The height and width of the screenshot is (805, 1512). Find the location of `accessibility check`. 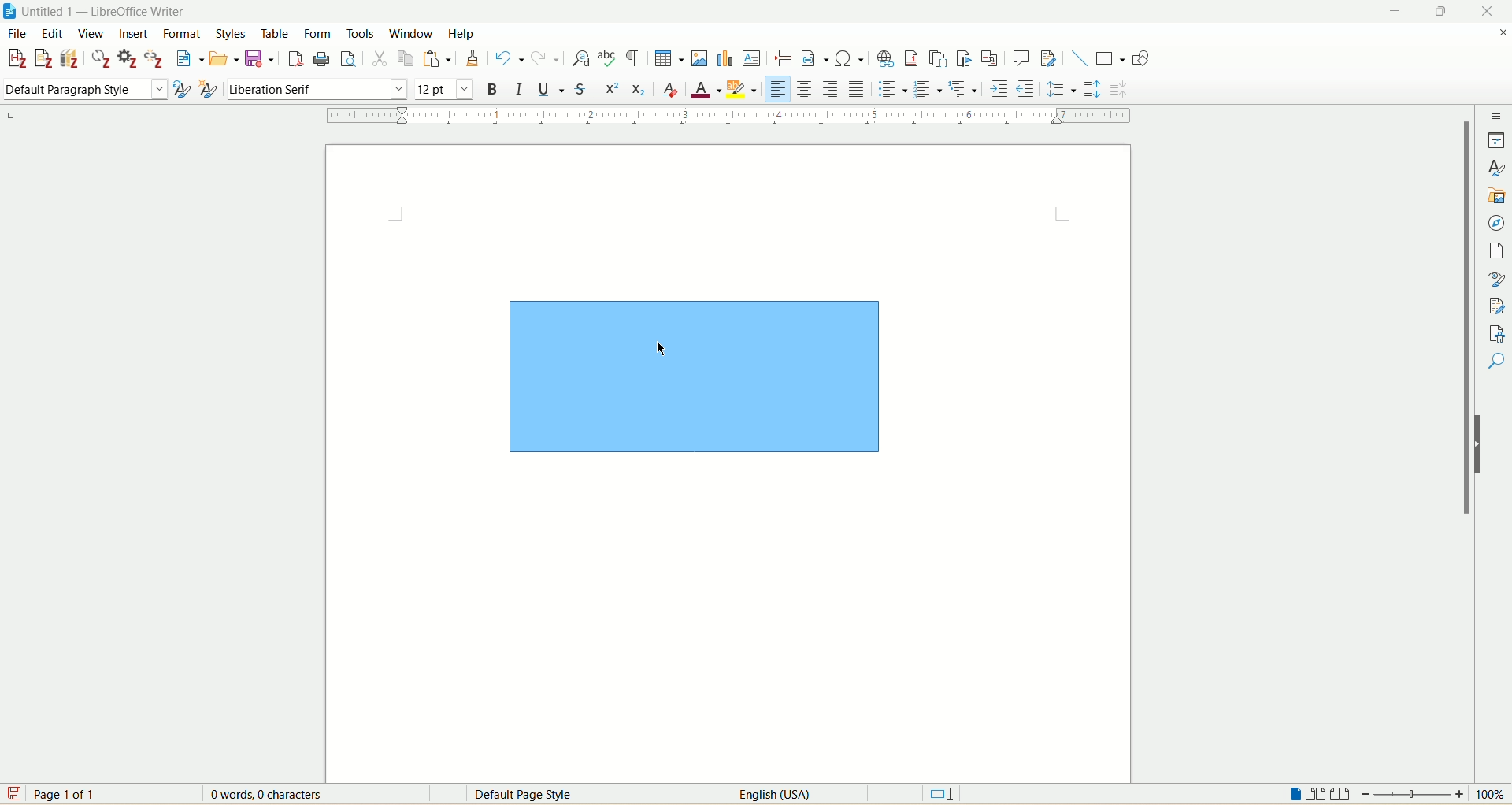

accessibility check is located at coordinates (1495, 334).